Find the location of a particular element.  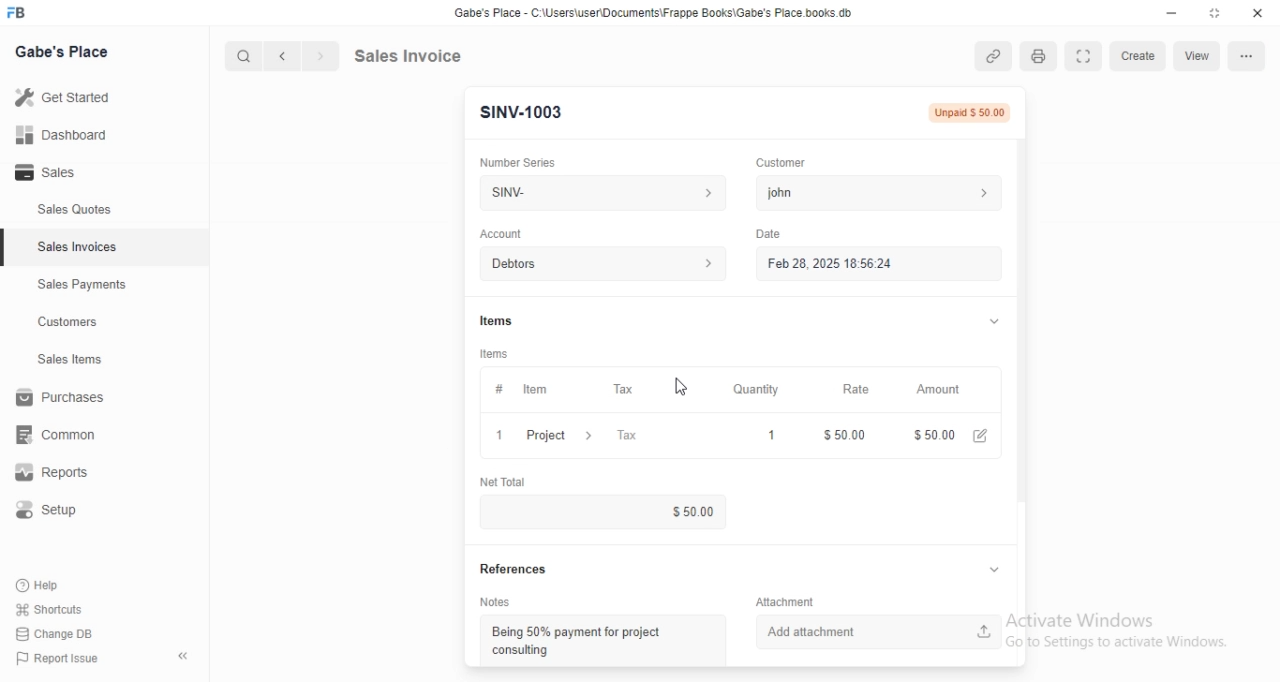

‘Amount is located at coordinates (940, 390).